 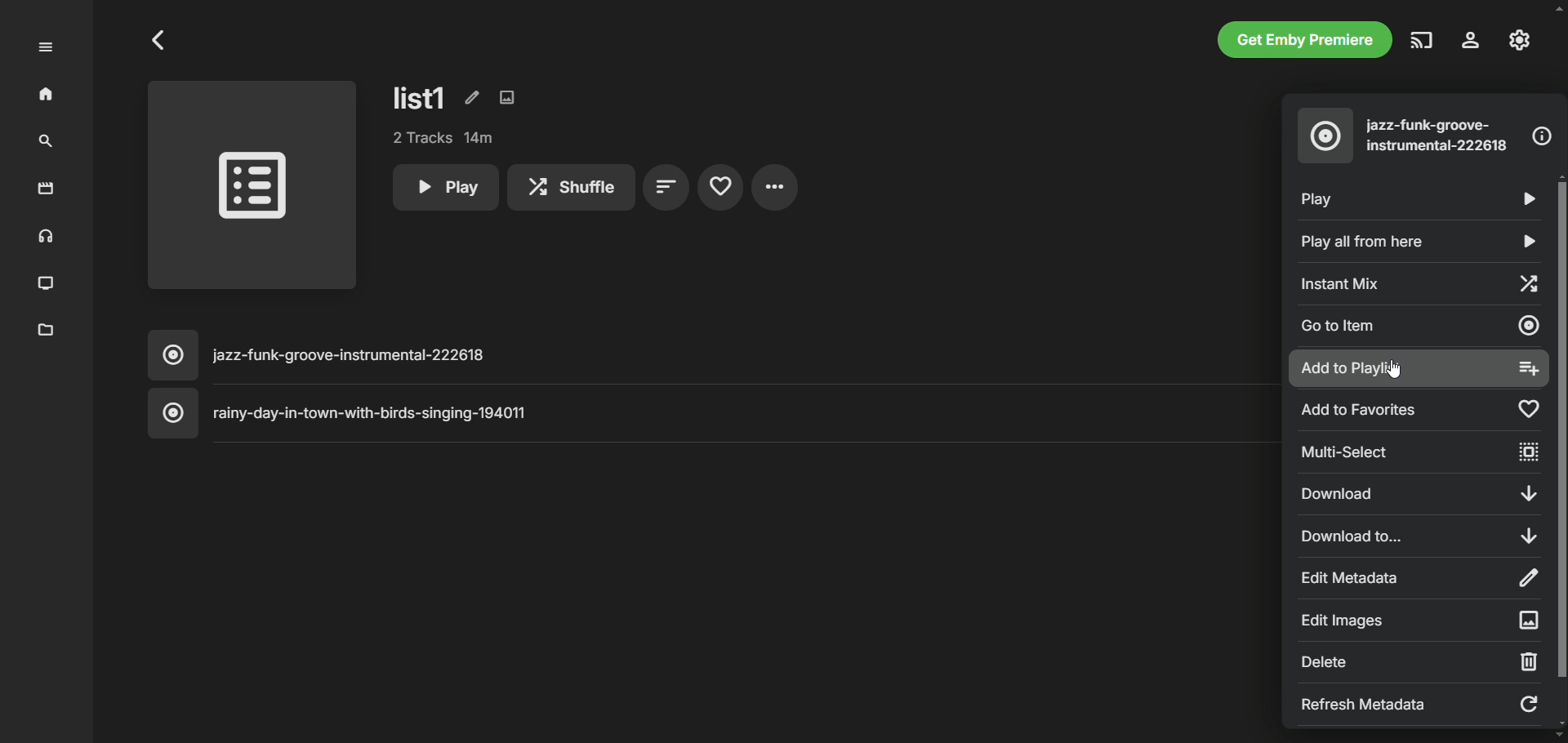 I want to click on get emby premiere, so click(x=1305, y=39).